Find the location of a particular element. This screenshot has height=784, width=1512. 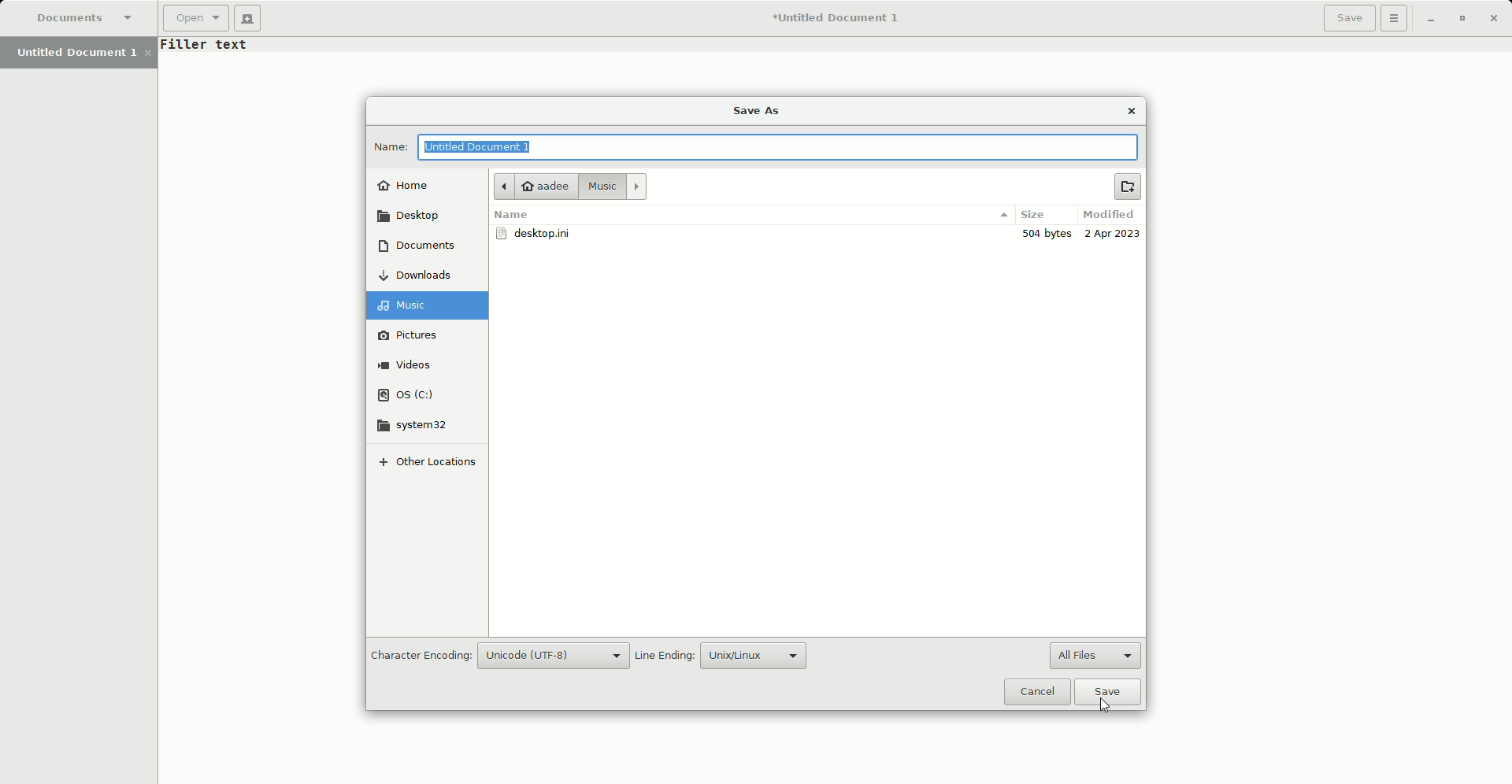

Music is located at coordinates (613, 187).